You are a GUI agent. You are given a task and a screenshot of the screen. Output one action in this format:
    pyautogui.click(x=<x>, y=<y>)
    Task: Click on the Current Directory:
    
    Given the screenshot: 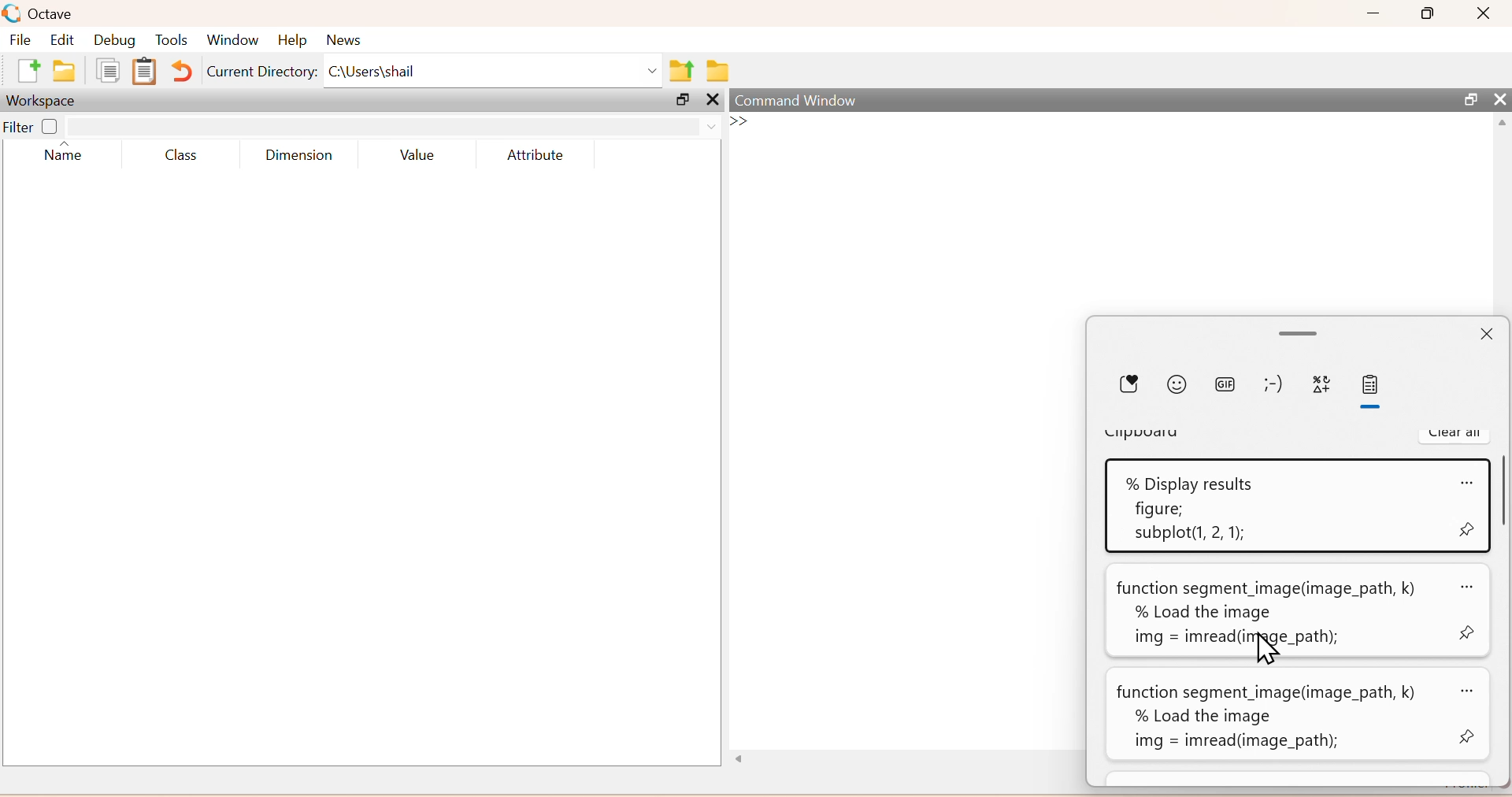 What is the action you would take?
    pyautogui.click(x=262, y=74)
    